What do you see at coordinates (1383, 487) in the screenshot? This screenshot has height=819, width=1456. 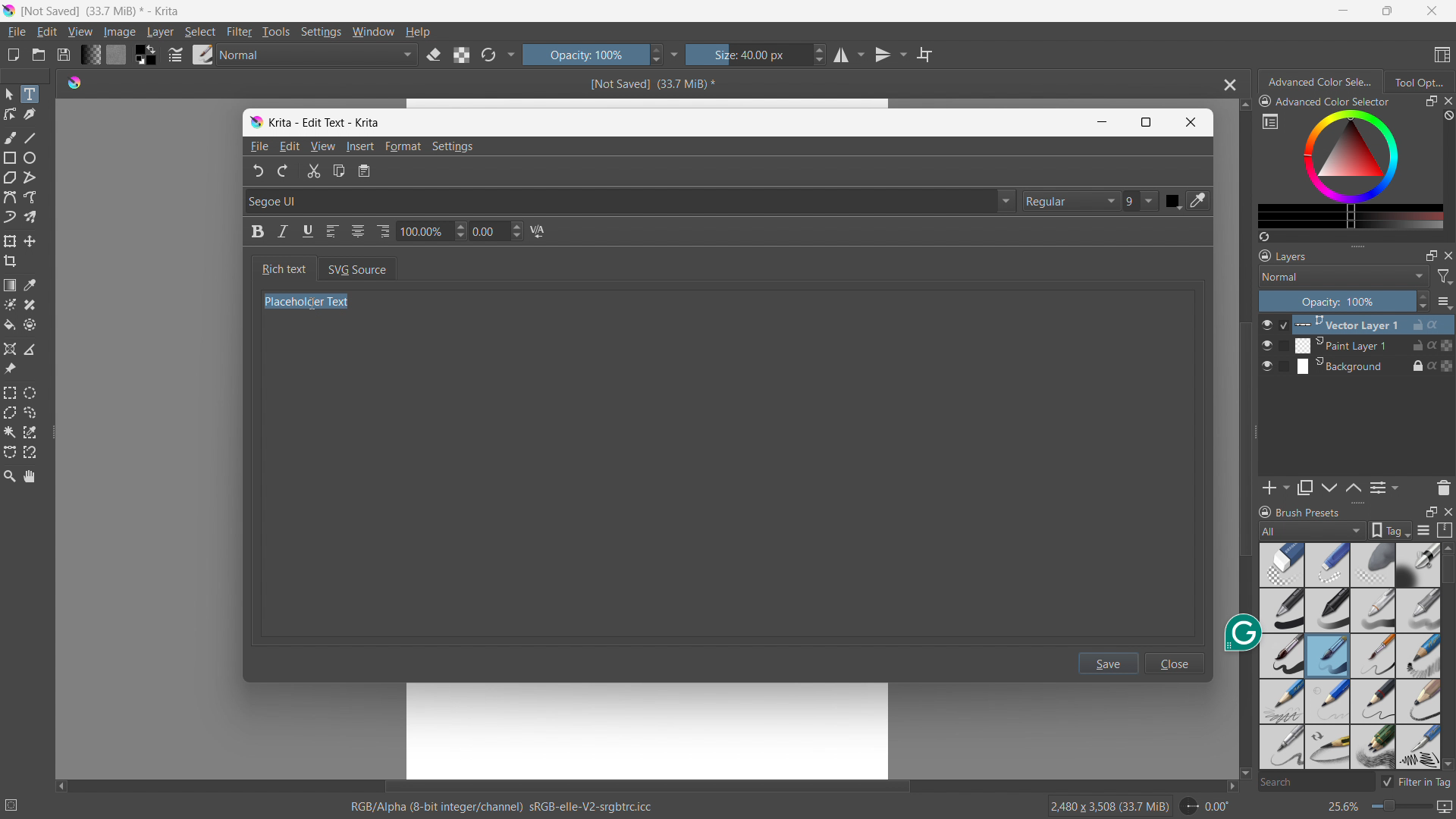 I see `view/change layer properties` at bounding box center [1383, 487].